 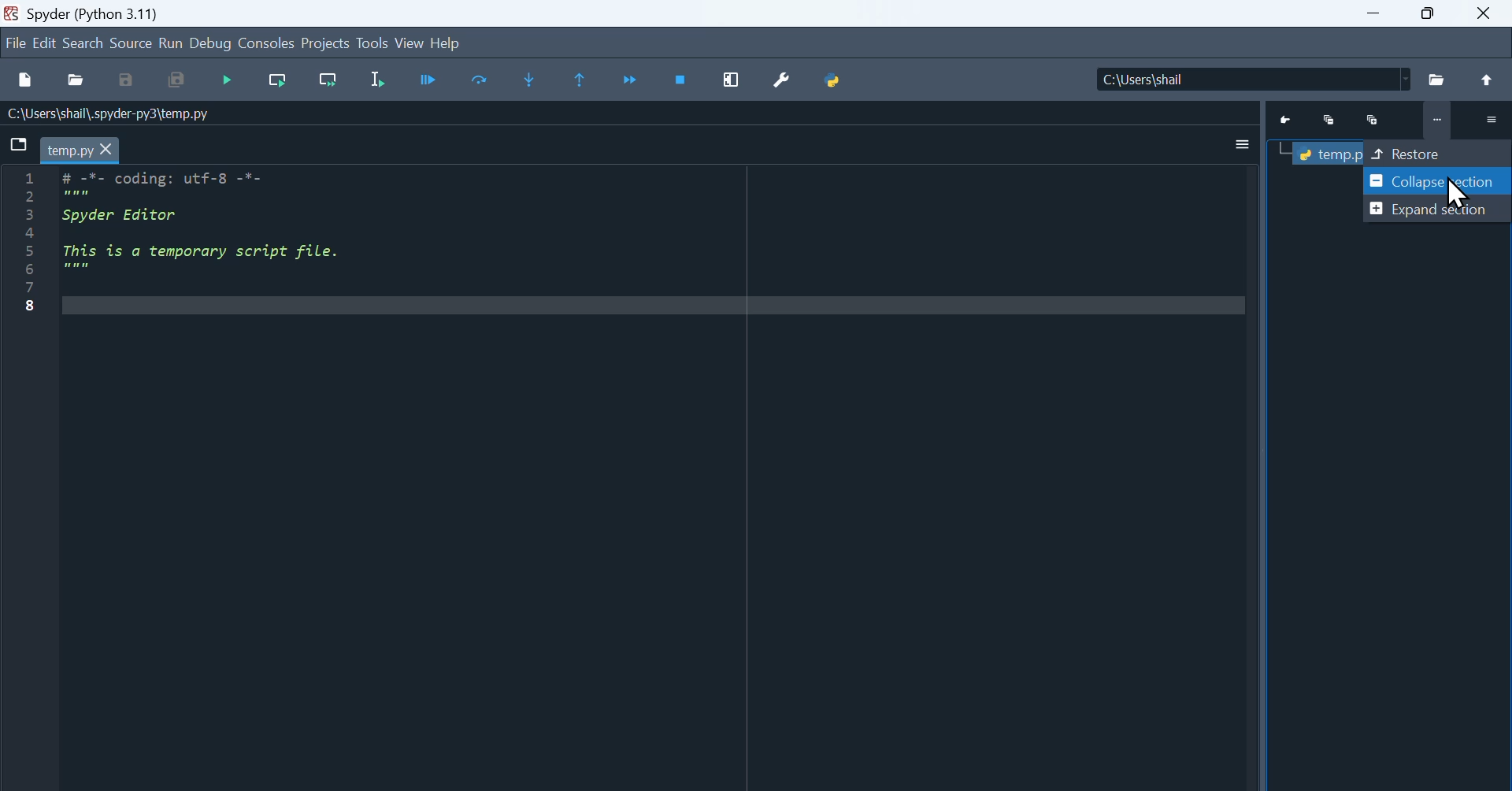 I want to click on cursor, so click(x=109, y=150).